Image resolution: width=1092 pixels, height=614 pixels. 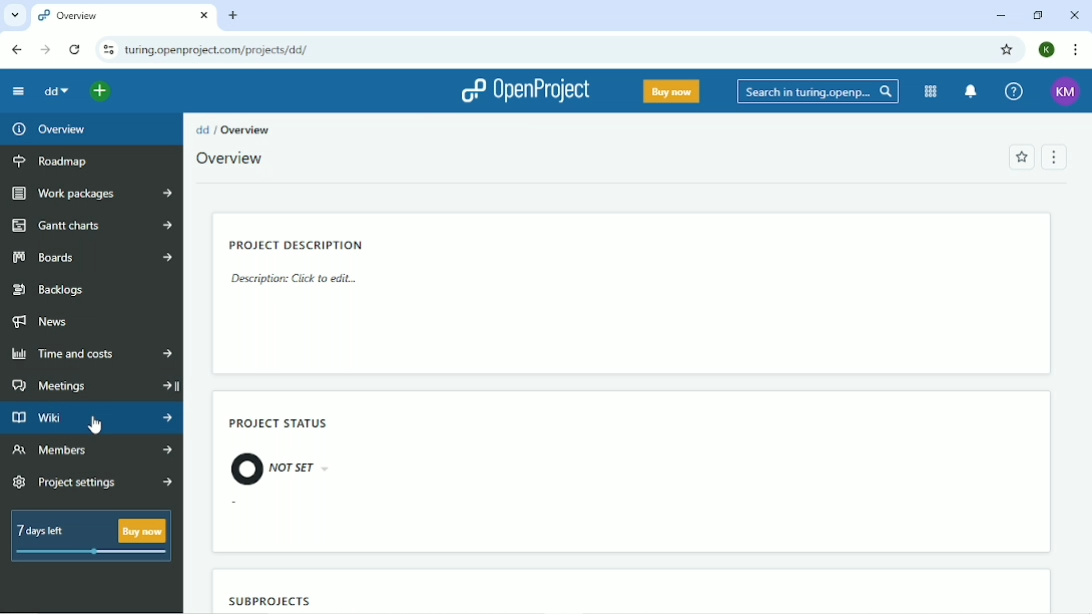 What do you see at coordinates (276, 422) in the screenshot?
I see `Project status` at bounding box center [276, 422].